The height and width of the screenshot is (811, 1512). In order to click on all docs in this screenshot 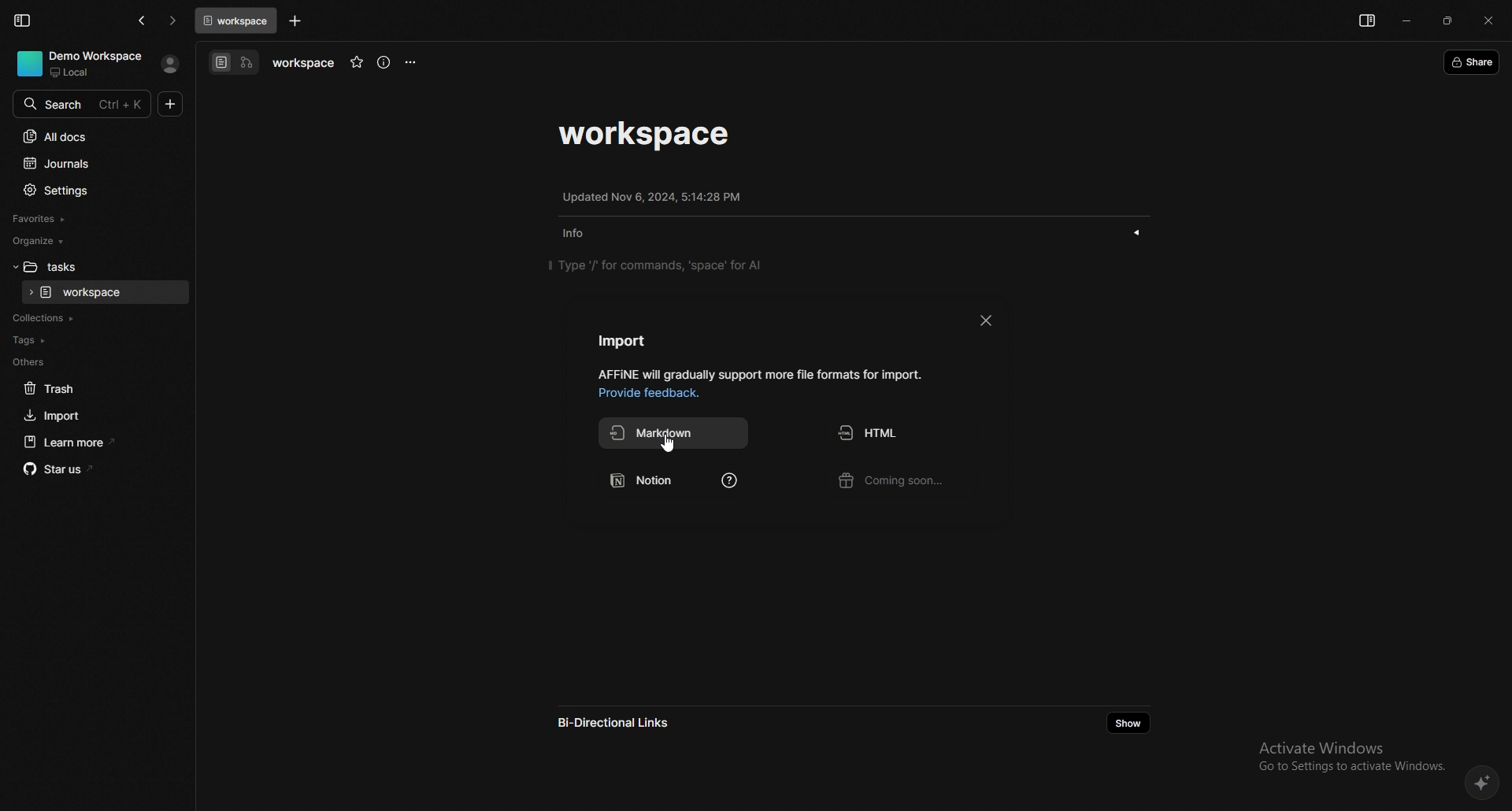, I will do `click(90, 136)`.